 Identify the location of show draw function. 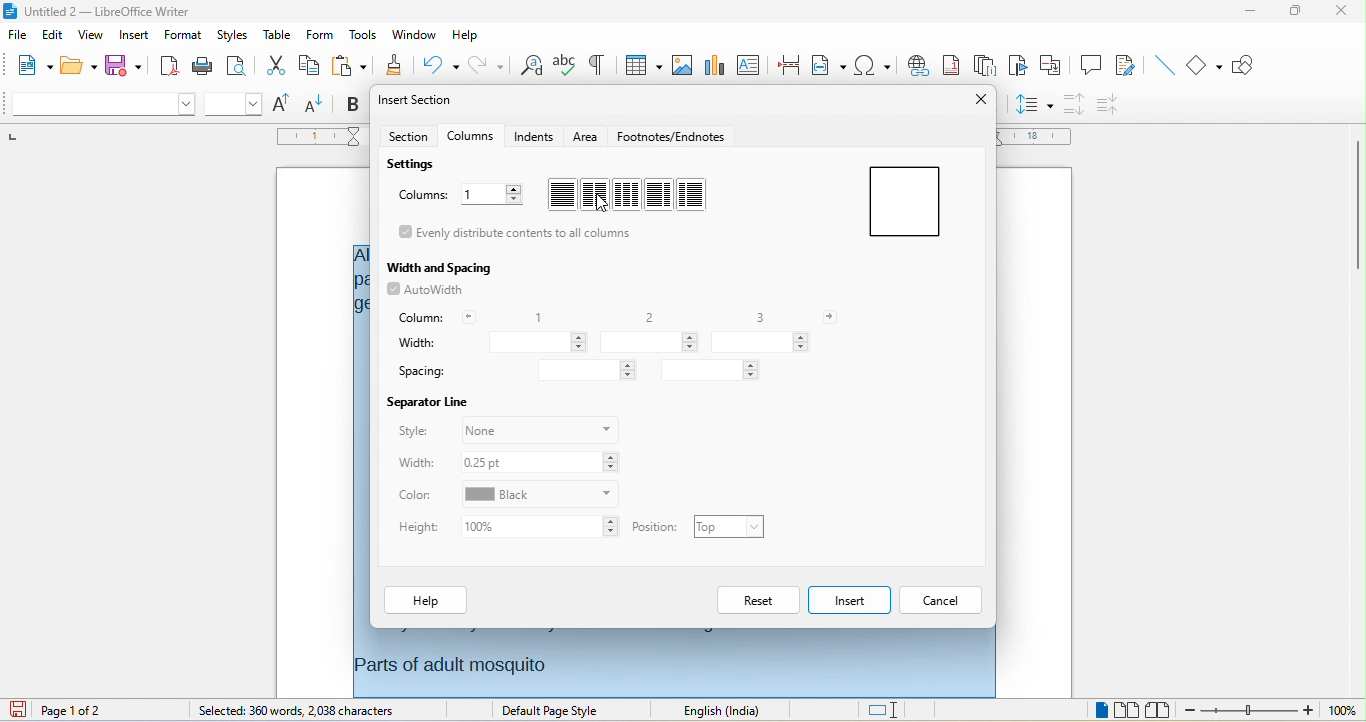
(1244, 65).